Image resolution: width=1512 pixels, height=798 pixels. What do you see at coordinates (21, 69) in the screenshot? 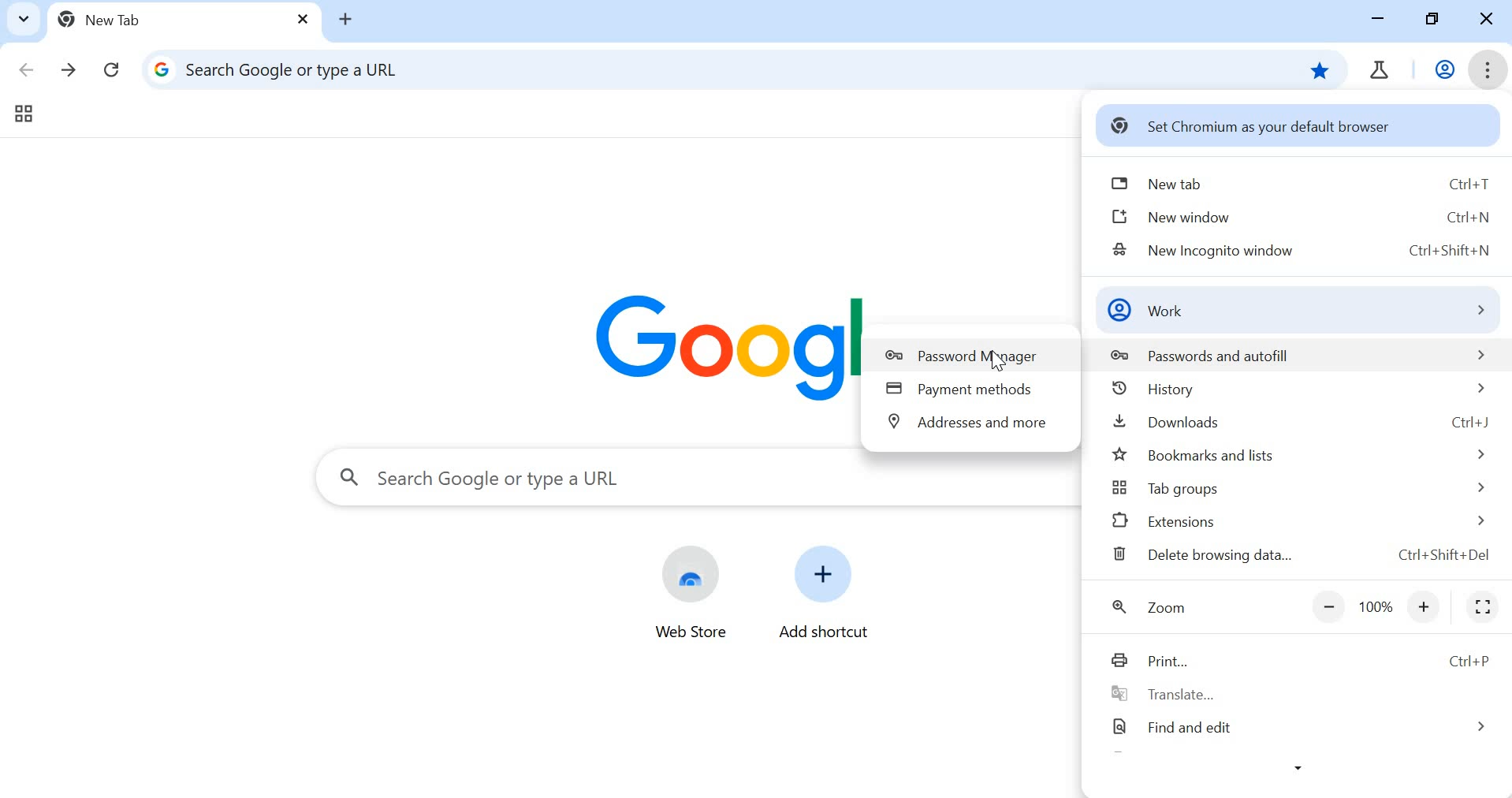
I see `click to go back` at bounding box center [21, 69].